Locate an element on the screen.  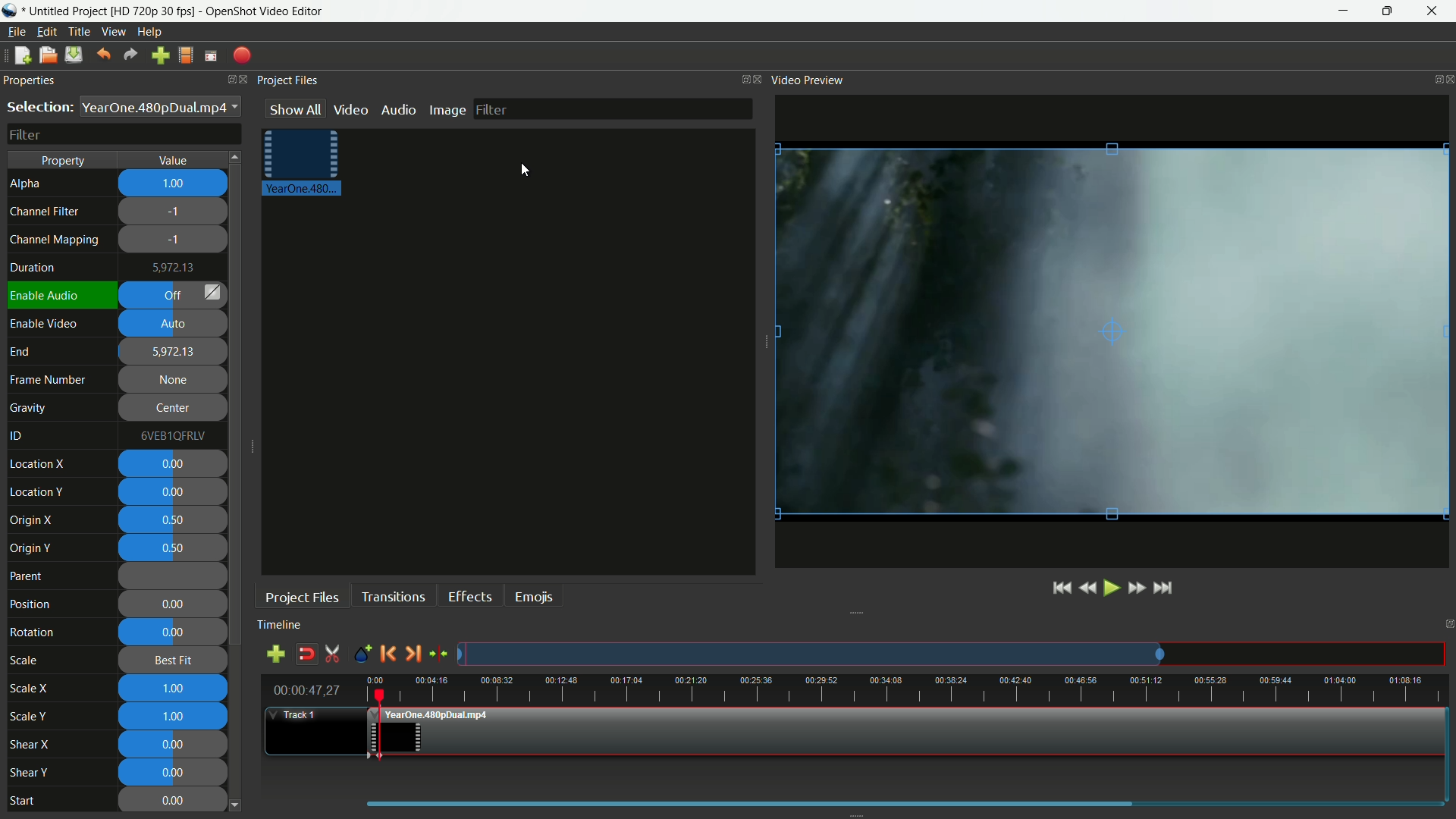
track 1 is located at coordinates (302, 717).